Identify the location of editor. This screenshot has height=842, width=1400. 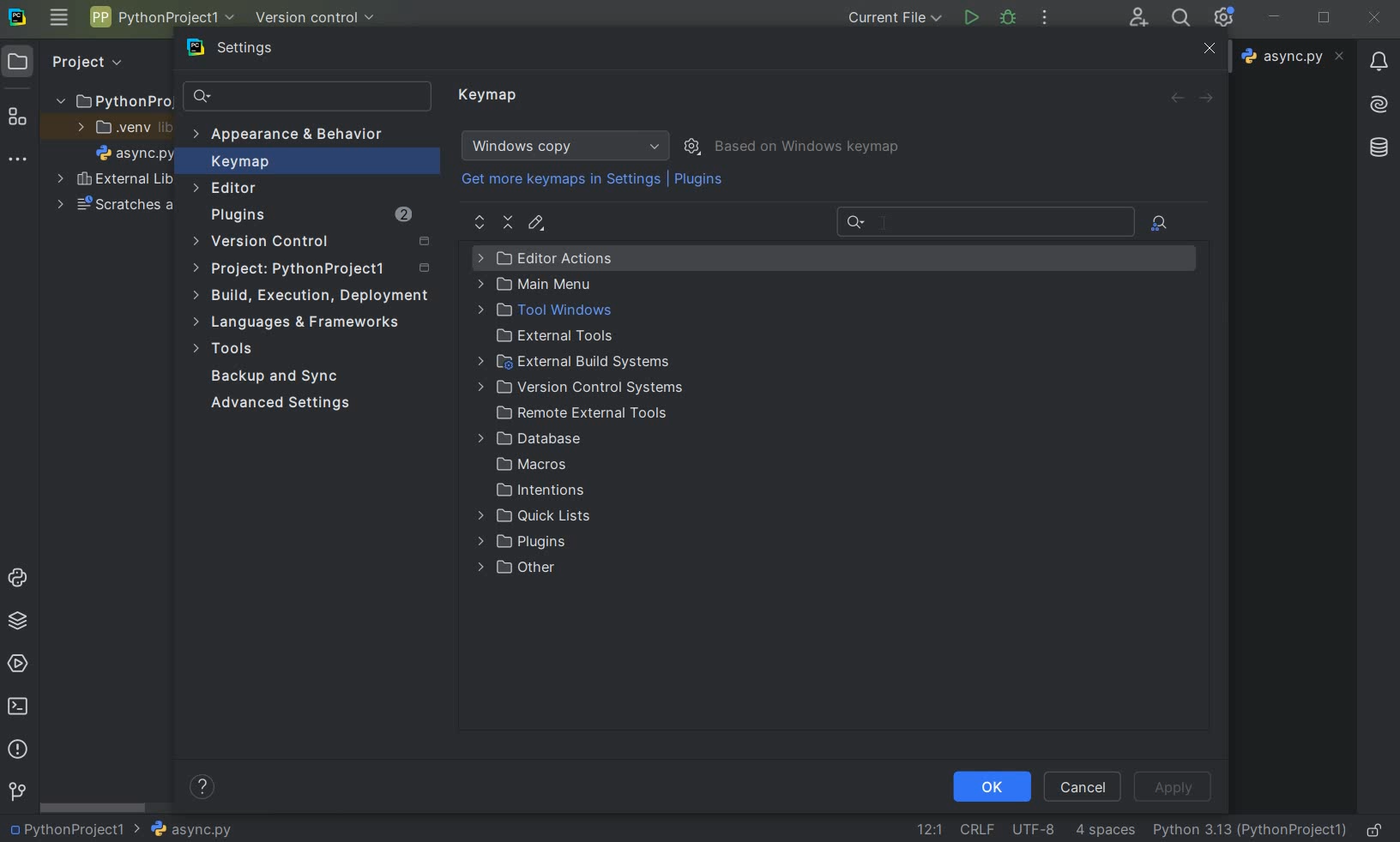
(226, 188).